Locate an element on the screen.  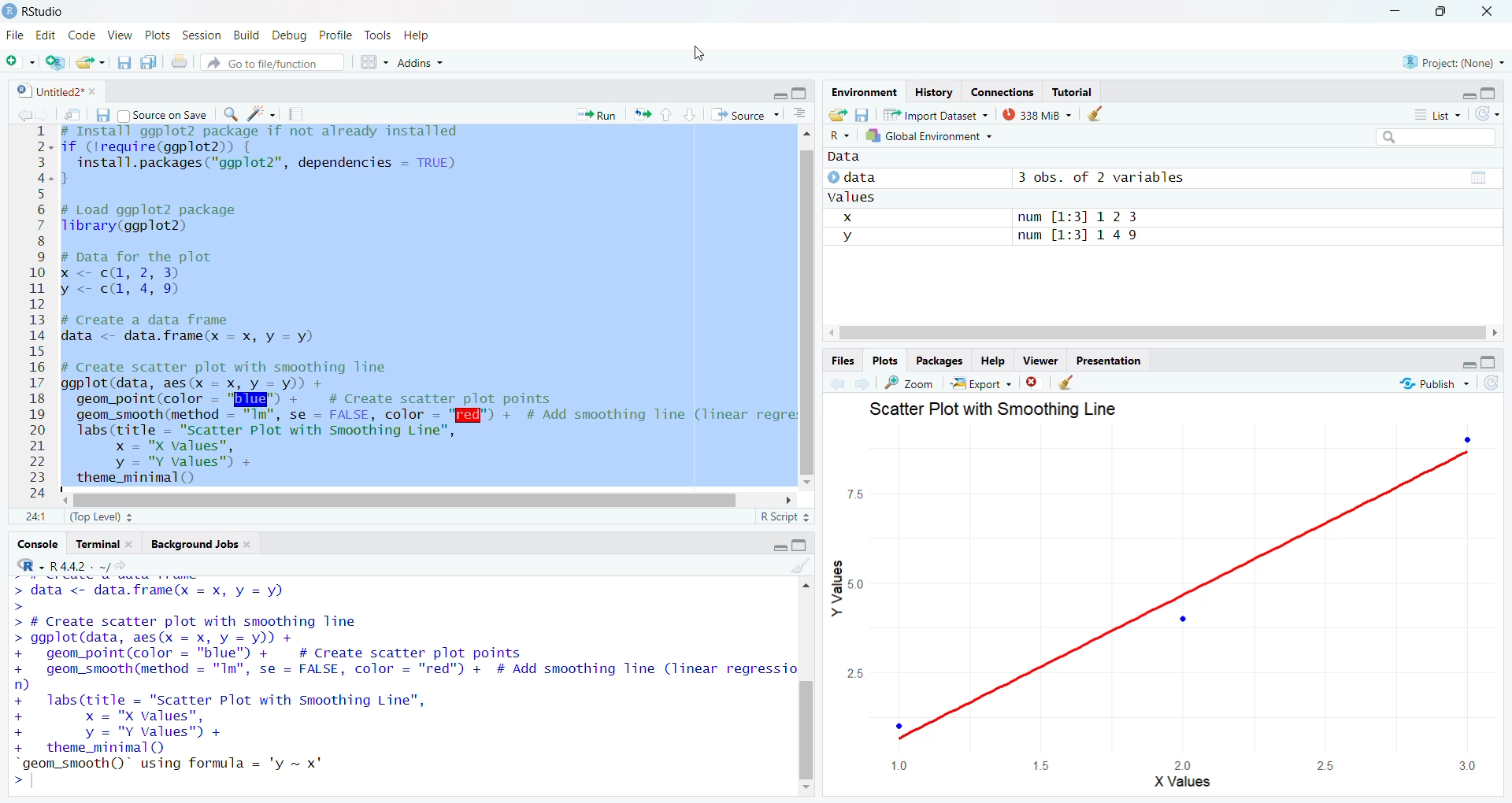
num [1:31 123 is located at coordinates (1078, 216).